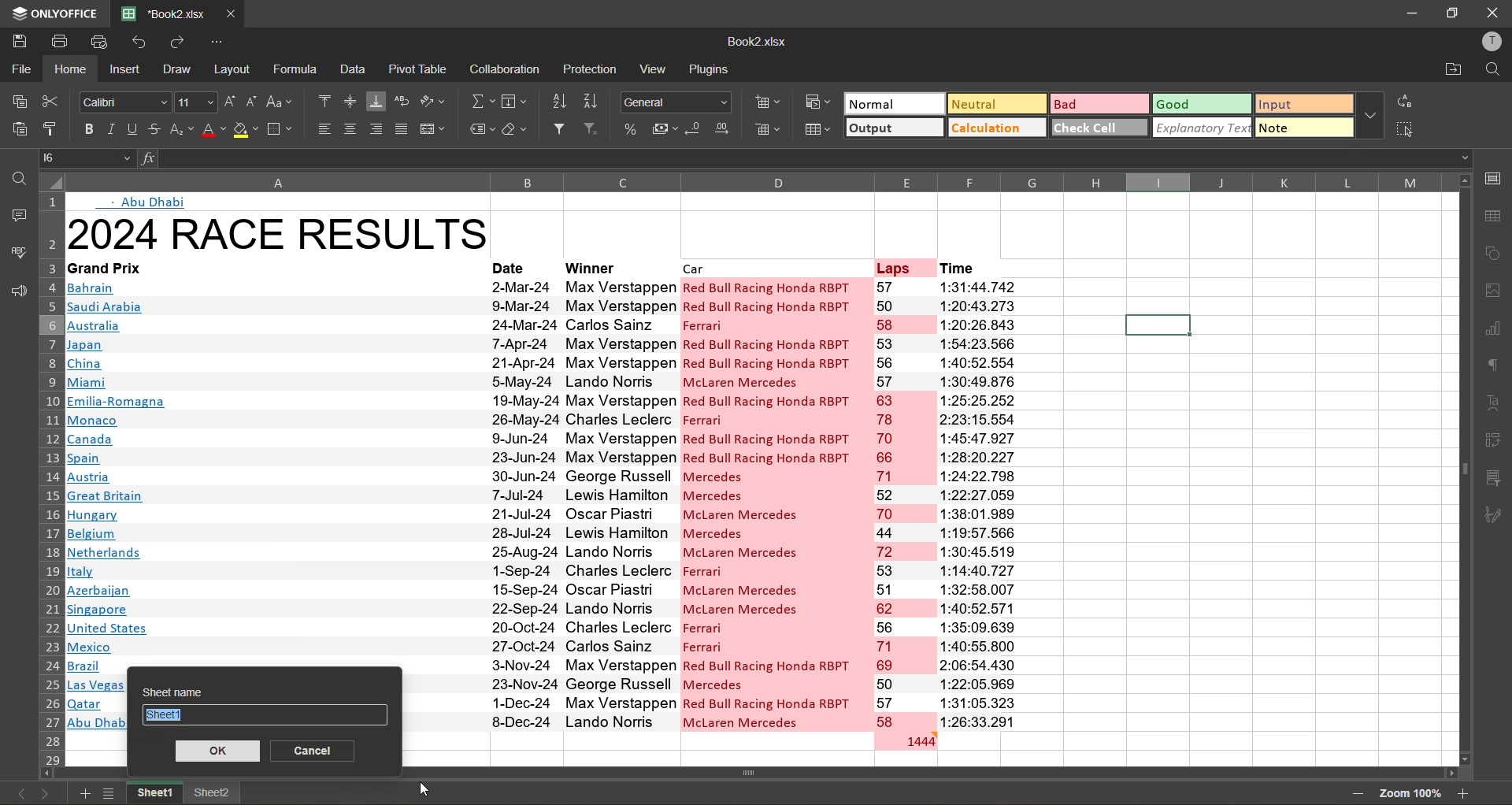 This screenshot has height=805, width=1512. What do you see at coordinates (230, 104) in the screenshot?
I see `increment size` at bounding box center [230, 104].